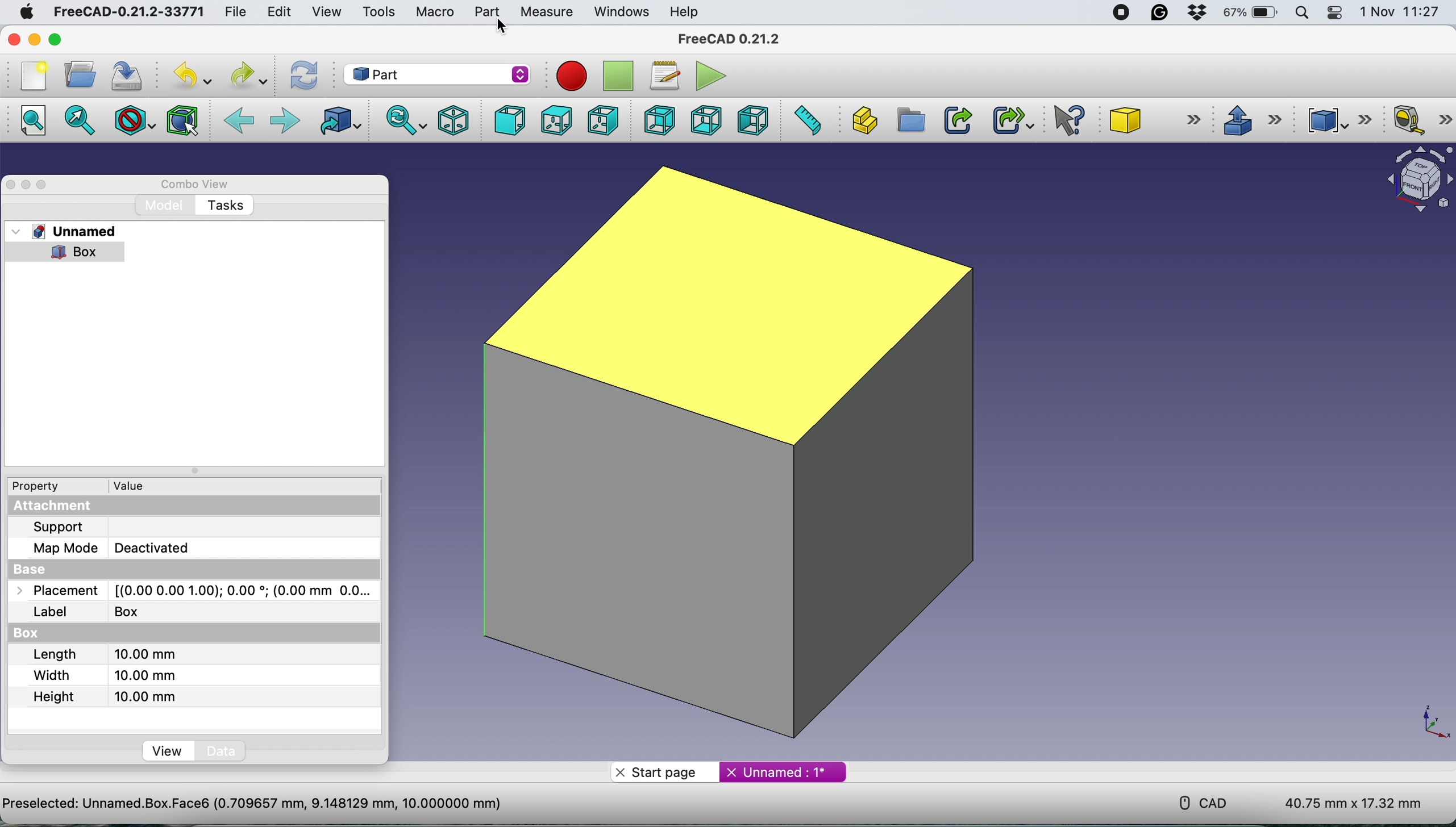 Image resolution: width=1456 pixels, height=827 pixels. What do you see at coordinates (187, 76) in the screenshot?
I see `undo` at bounding box center [187, 76].